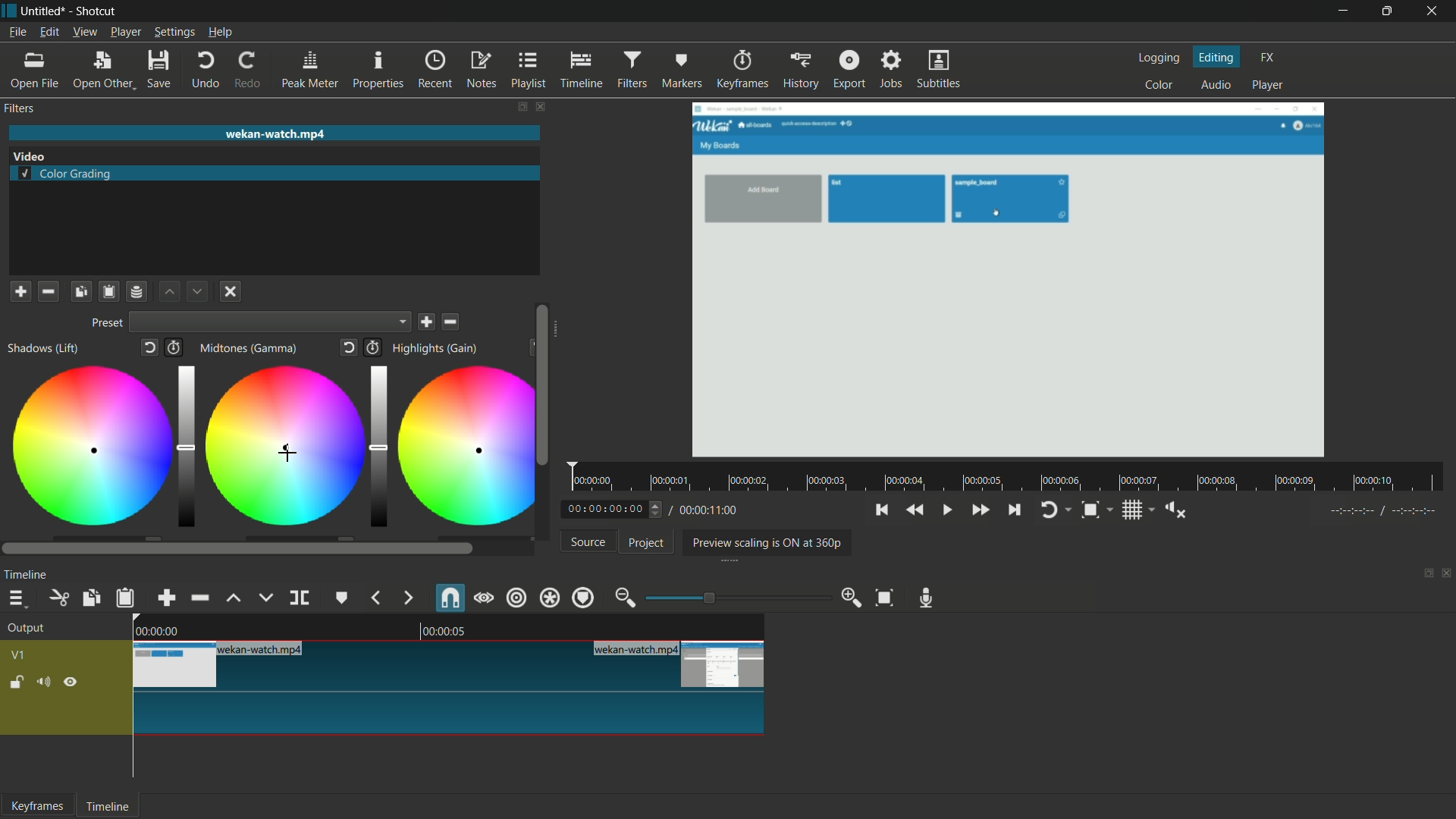 The height and width of the screenshot is (819, 1456). Describe the element at coordinates (516, 598) in the screenshot. I see `ripple` at that location.